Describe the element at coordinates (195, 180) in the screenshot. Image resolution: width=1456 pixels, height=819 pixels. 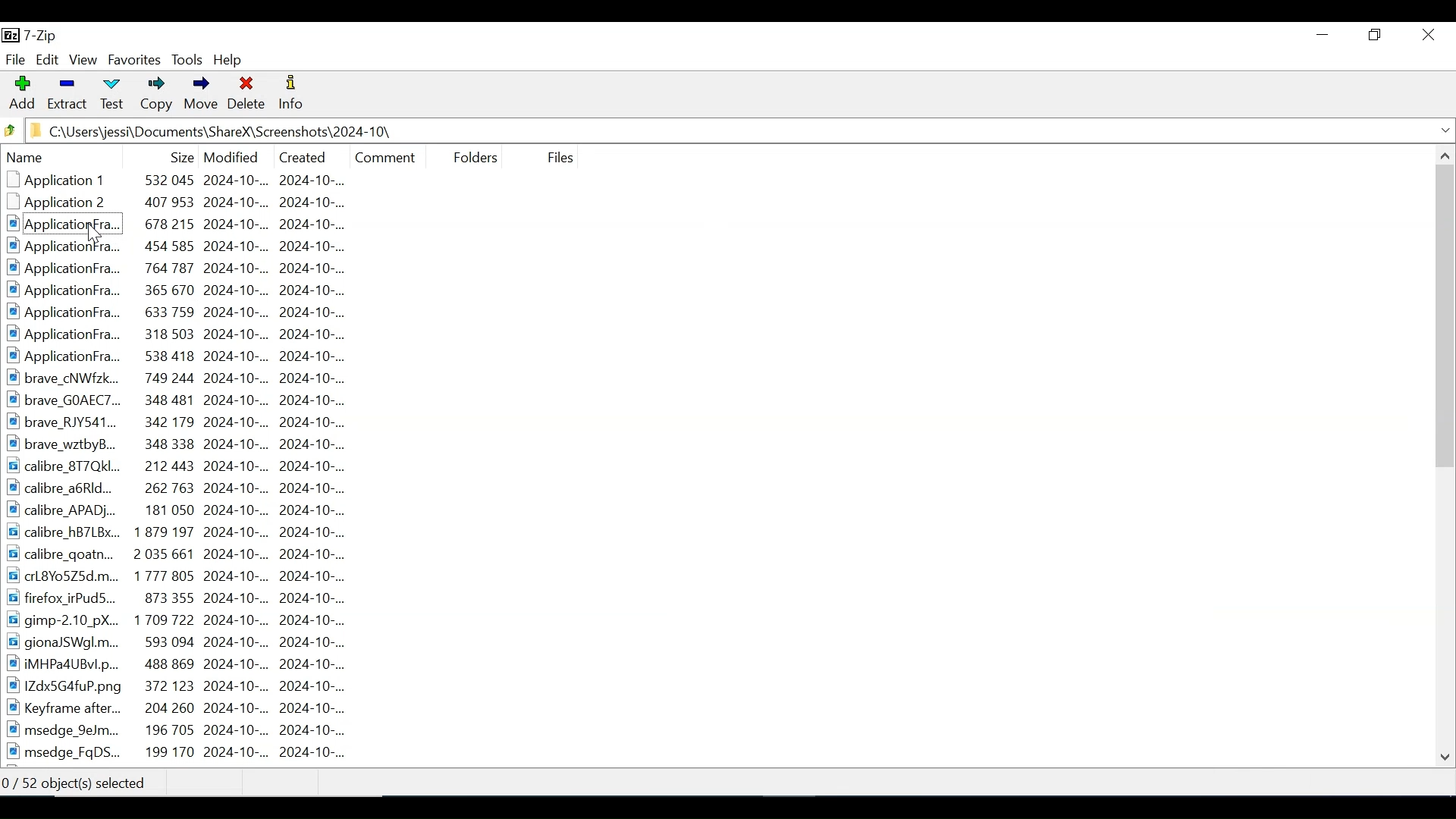
I see `Application 1 532 045 2024-10-.. 2024-10-...` at that location.